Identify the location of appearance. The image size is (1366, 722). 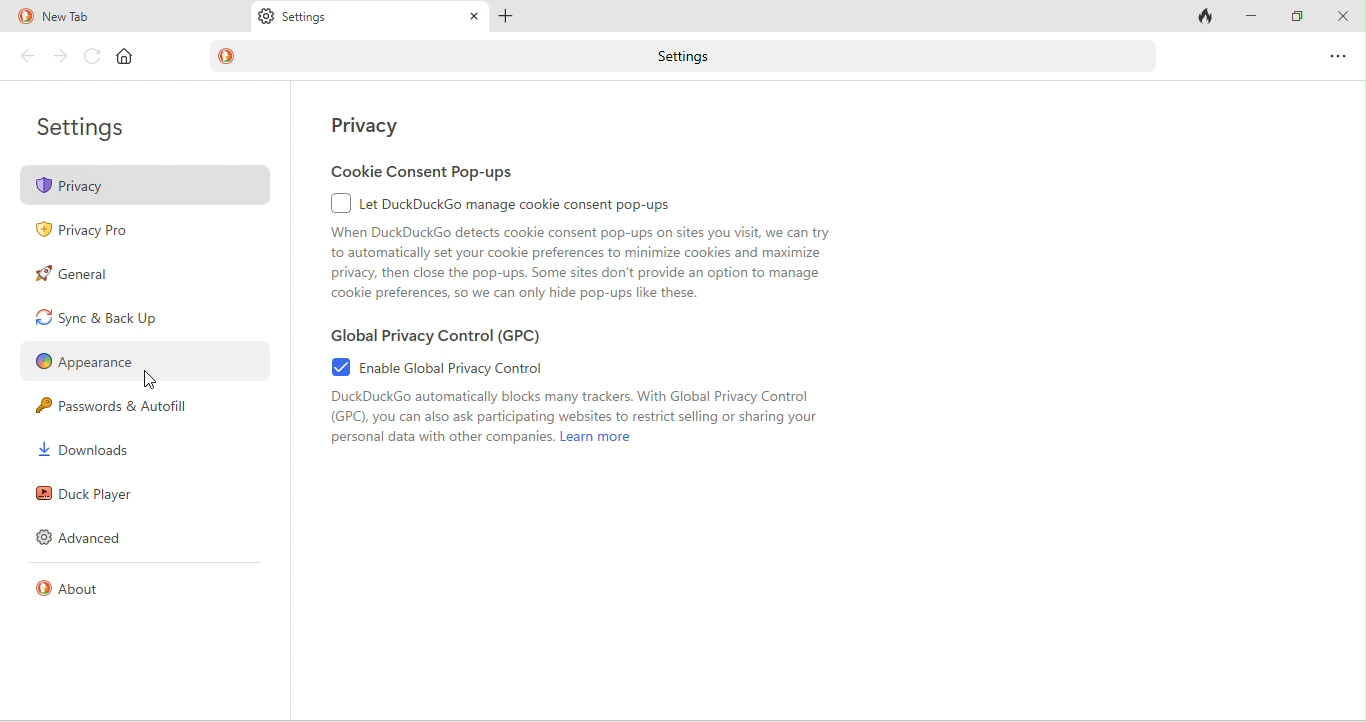
(142, 364).